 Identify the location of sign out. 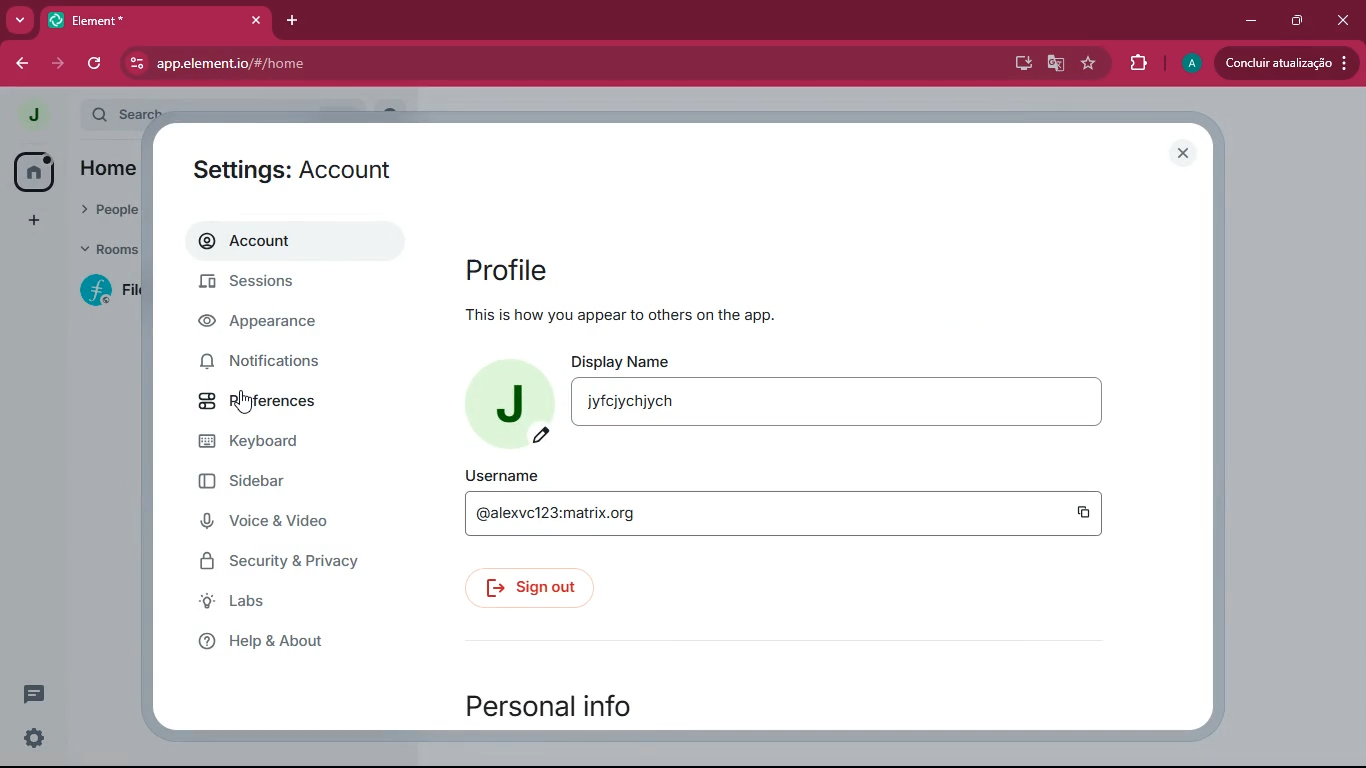
(529, 588).